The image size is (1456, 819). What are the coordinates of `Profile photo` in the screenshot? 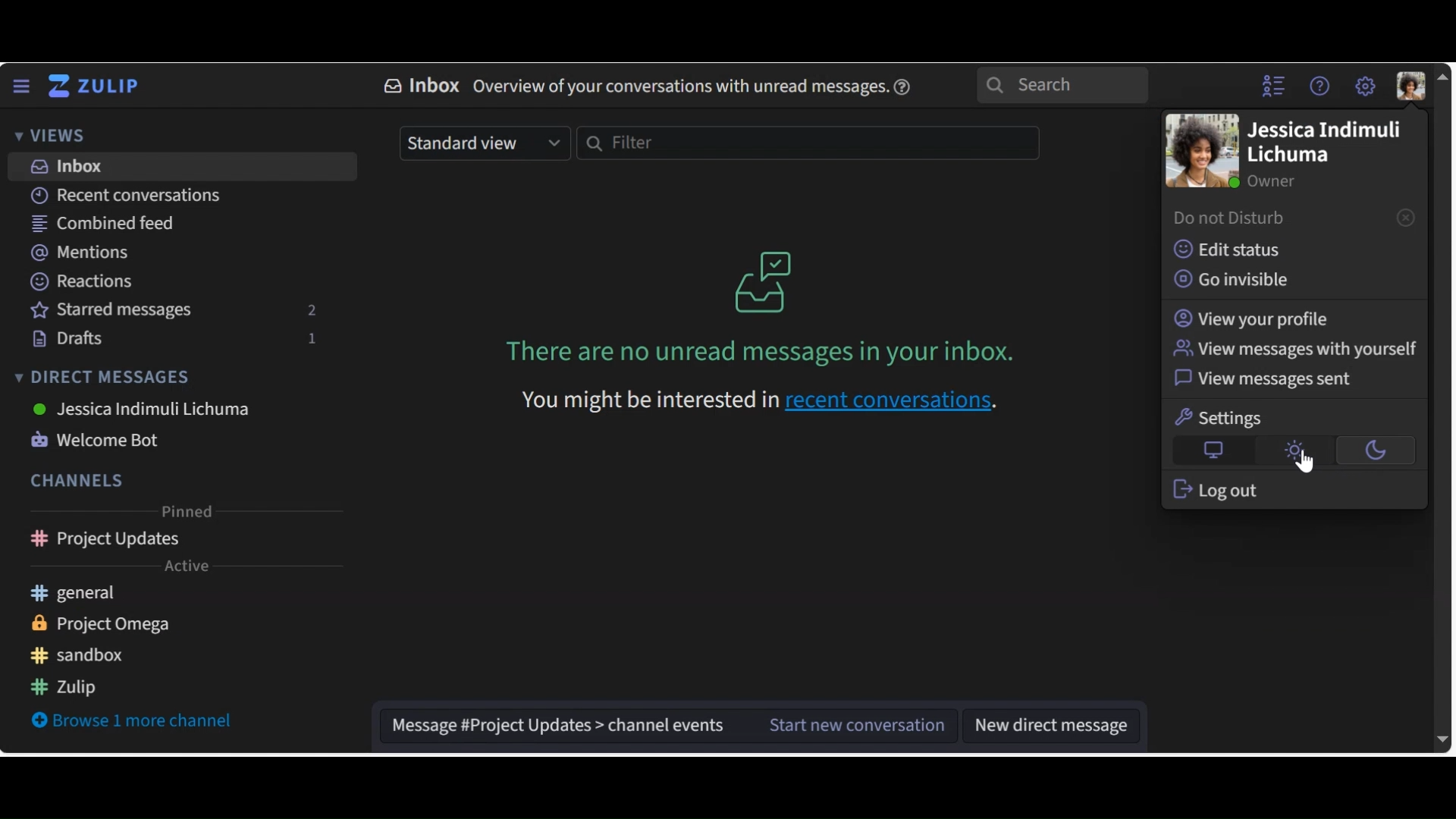 It's located at (1200, 152).